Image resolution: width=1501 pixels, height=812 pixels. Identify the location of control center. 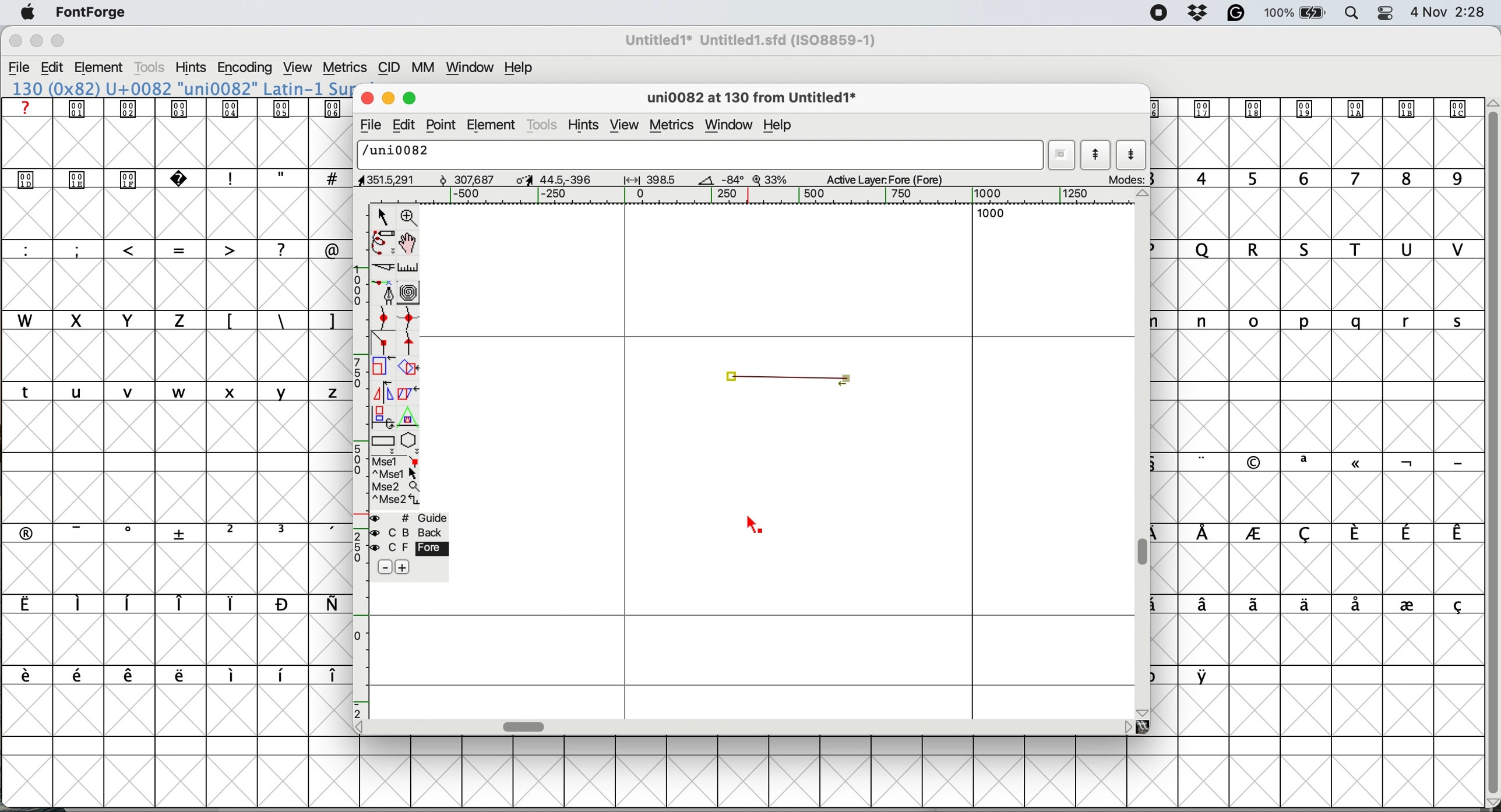
(1384, 13).